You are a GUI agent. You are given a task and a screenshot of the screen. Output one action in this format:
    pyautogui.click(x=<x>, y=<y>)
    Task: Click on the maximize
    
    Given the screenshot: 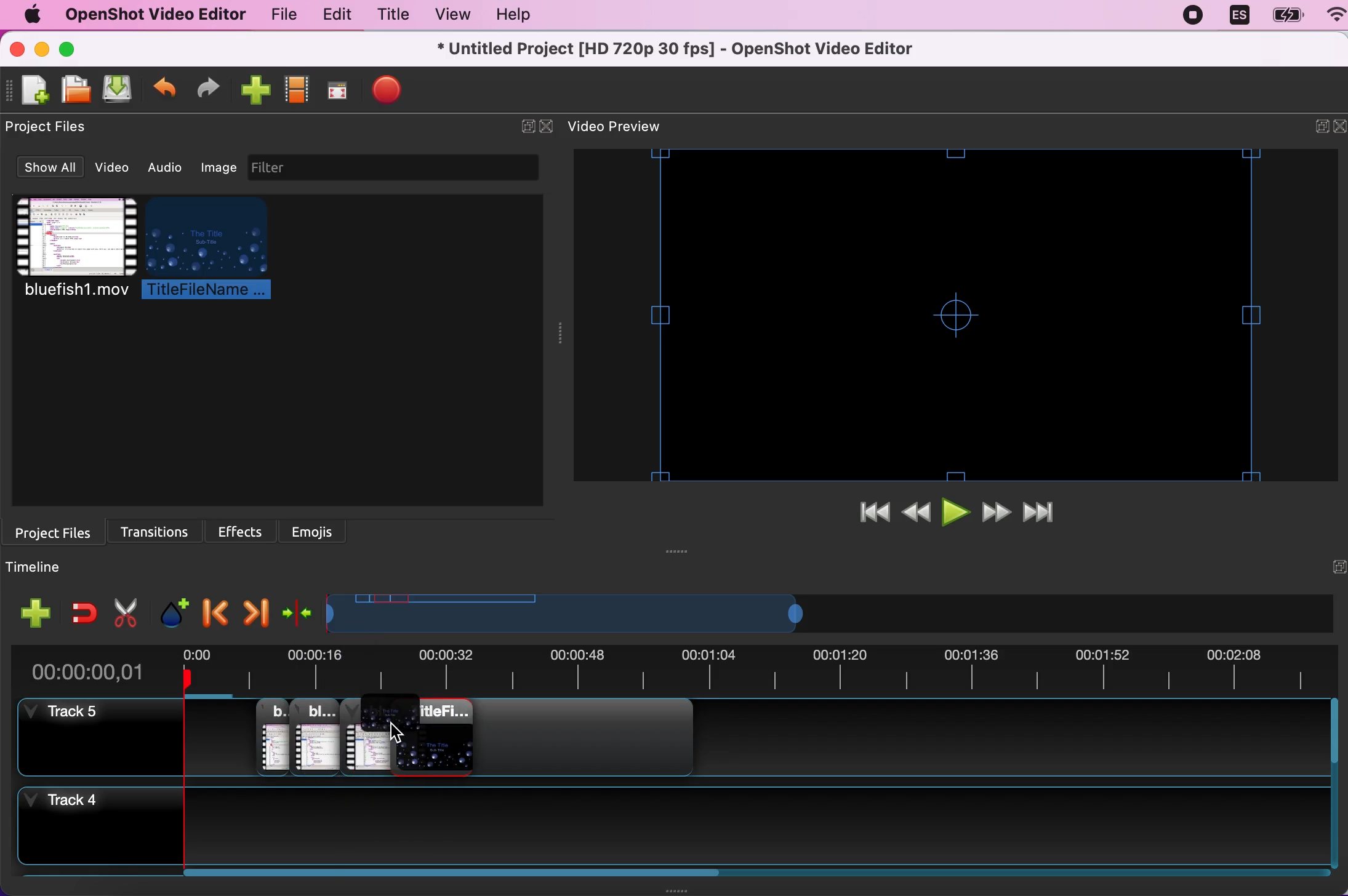 What is the action you would take?
    pyautogui.click(x=74, y=49)
    